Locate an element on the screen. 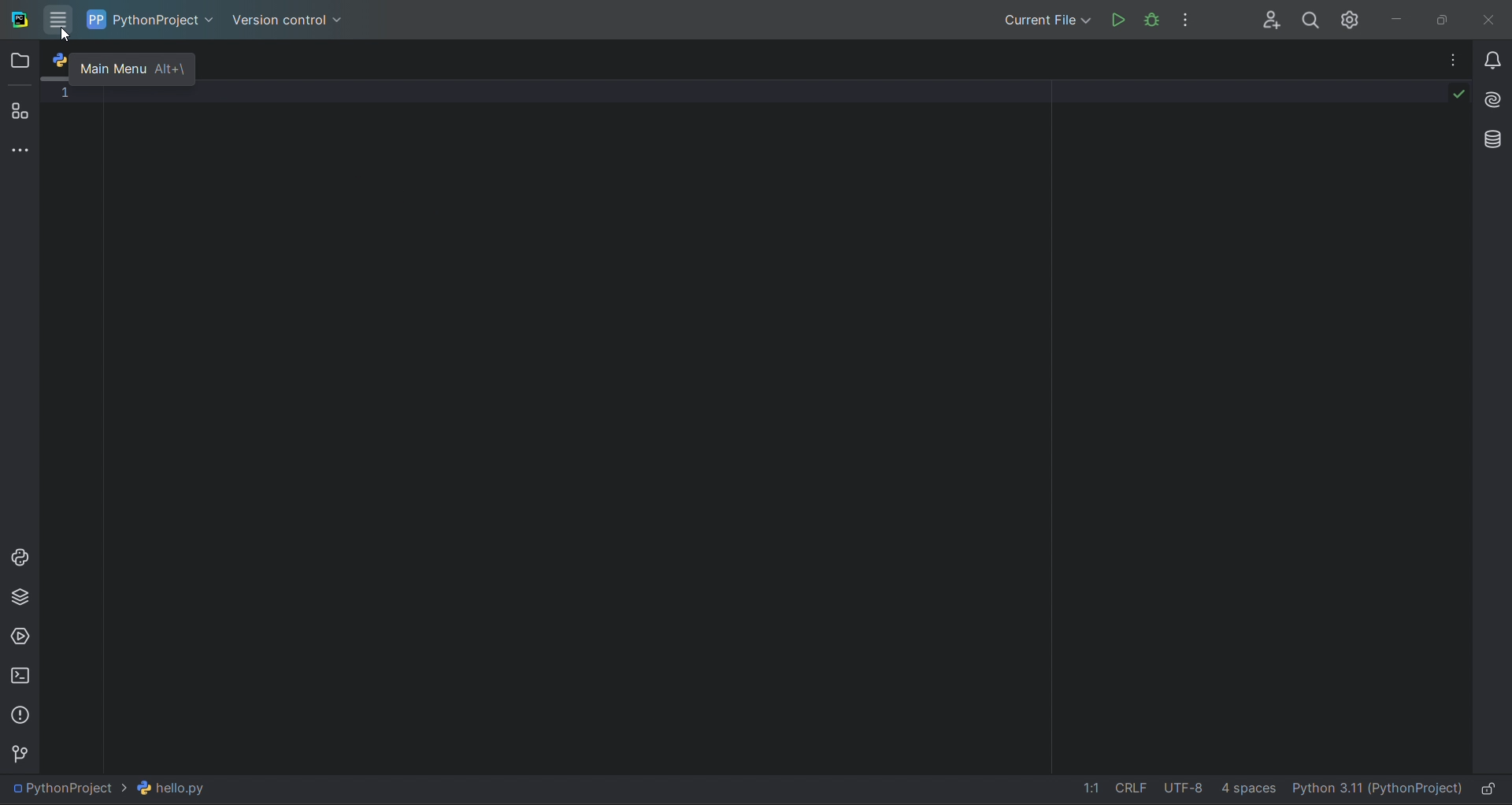 The image size is (1512, 805). python console is located at coordinates (20, 558).